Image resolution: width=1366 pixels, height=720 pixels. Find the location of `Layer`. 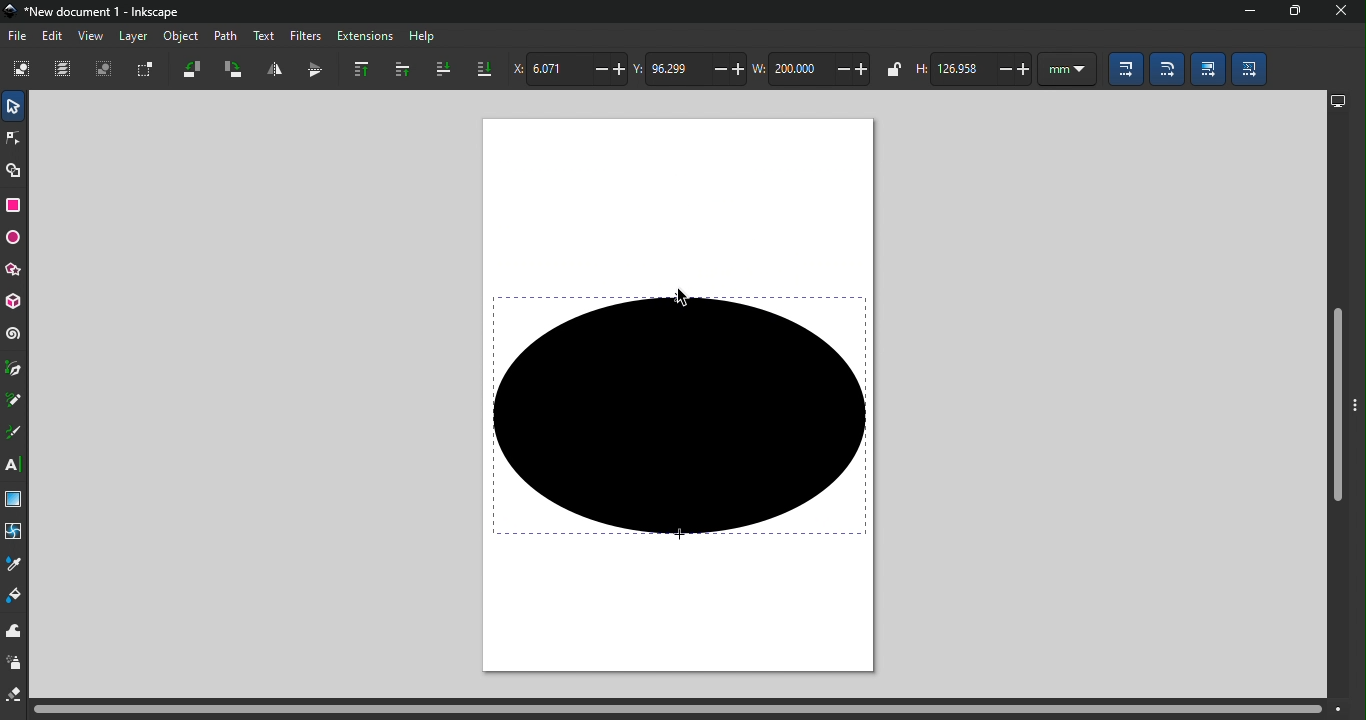

Layer is located at coordinates (135, 36).